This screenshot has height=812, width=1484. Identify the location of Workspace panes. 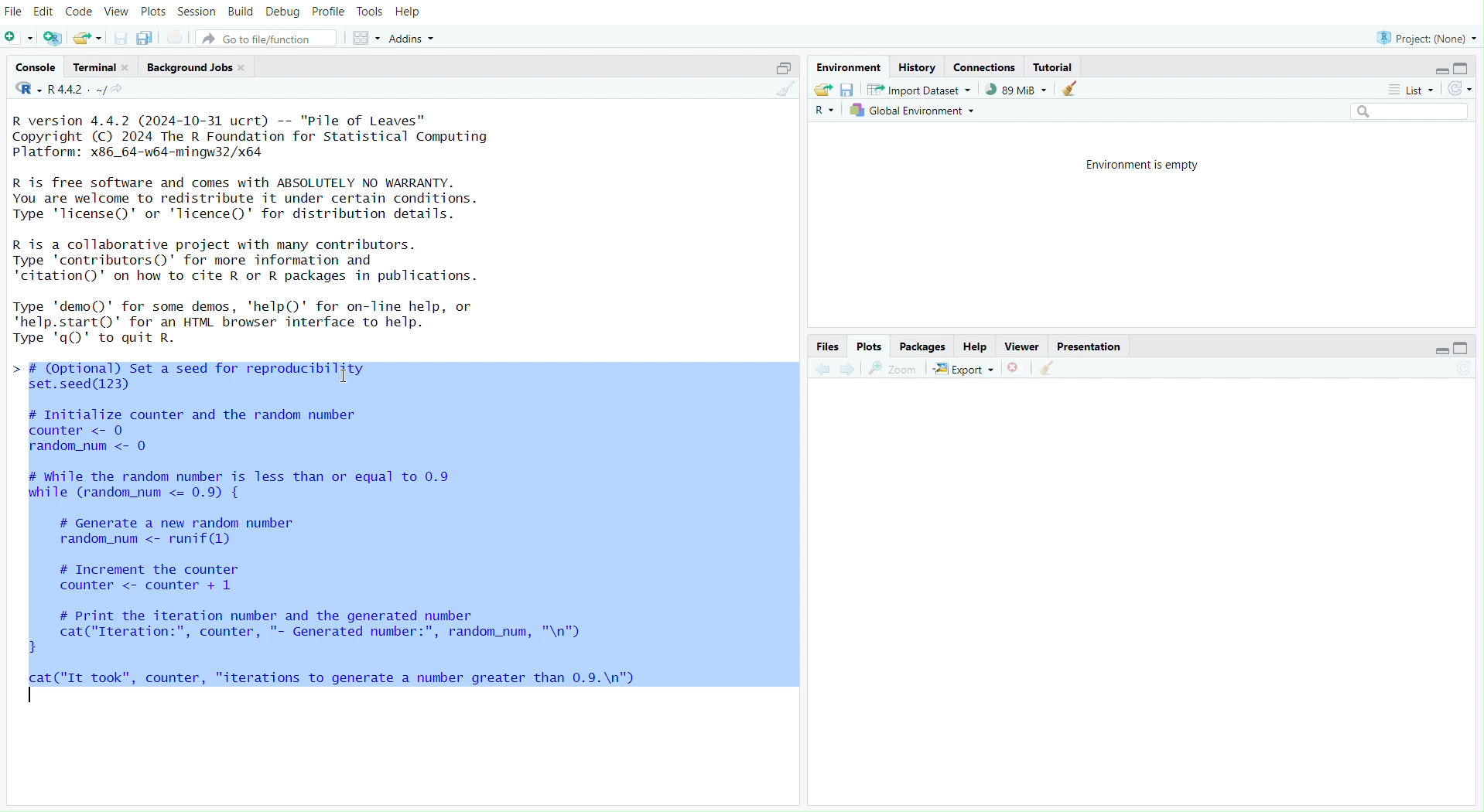
(366, 36).